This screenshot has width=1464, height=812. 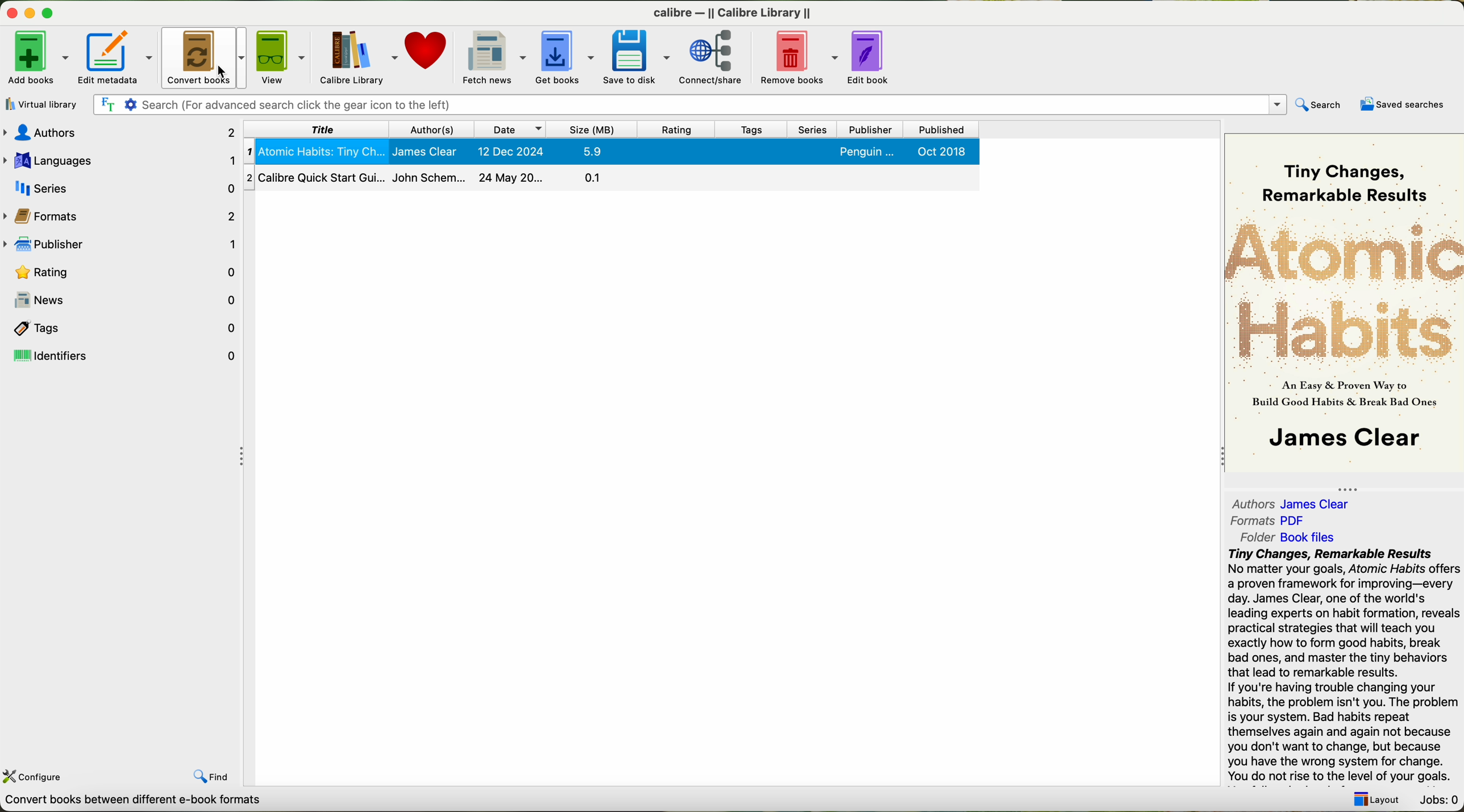 I want to click on remove books, so click(x=798, y=57).